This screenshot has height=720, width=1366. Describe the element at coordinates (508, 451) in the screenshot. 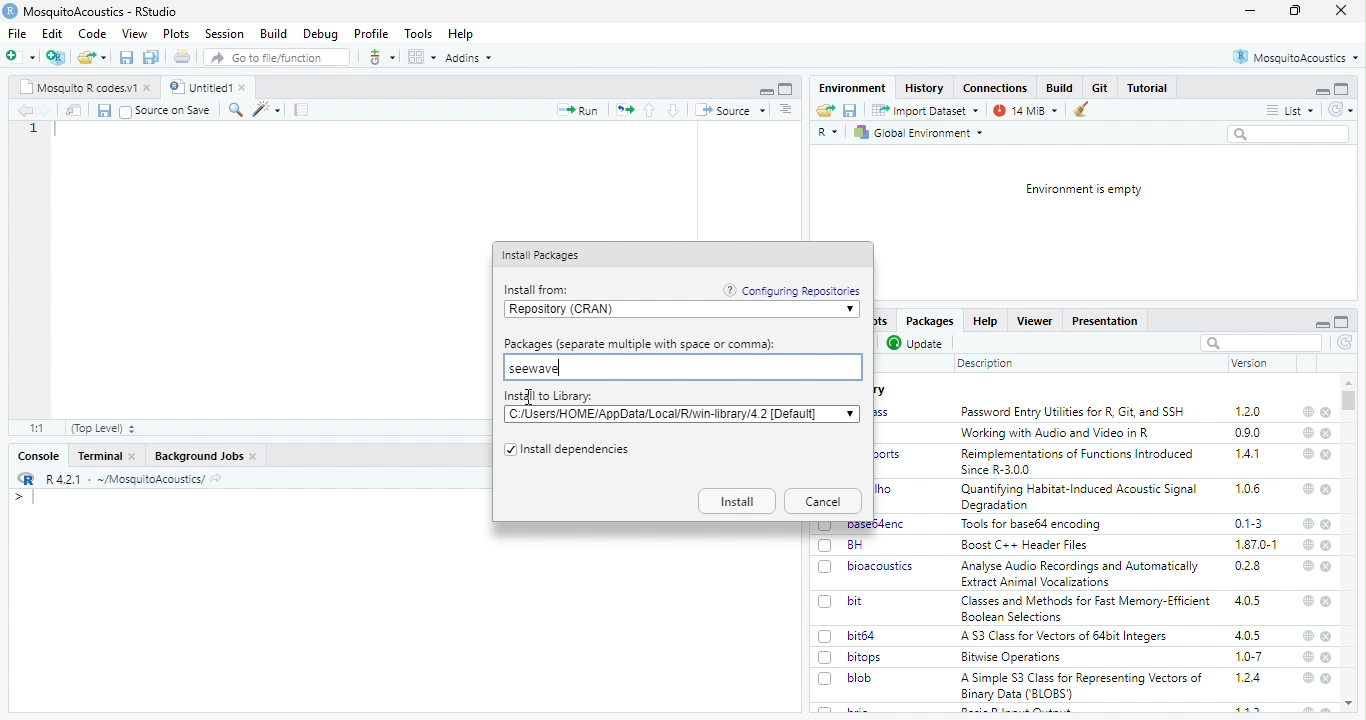

I see `checkbox` at that location.